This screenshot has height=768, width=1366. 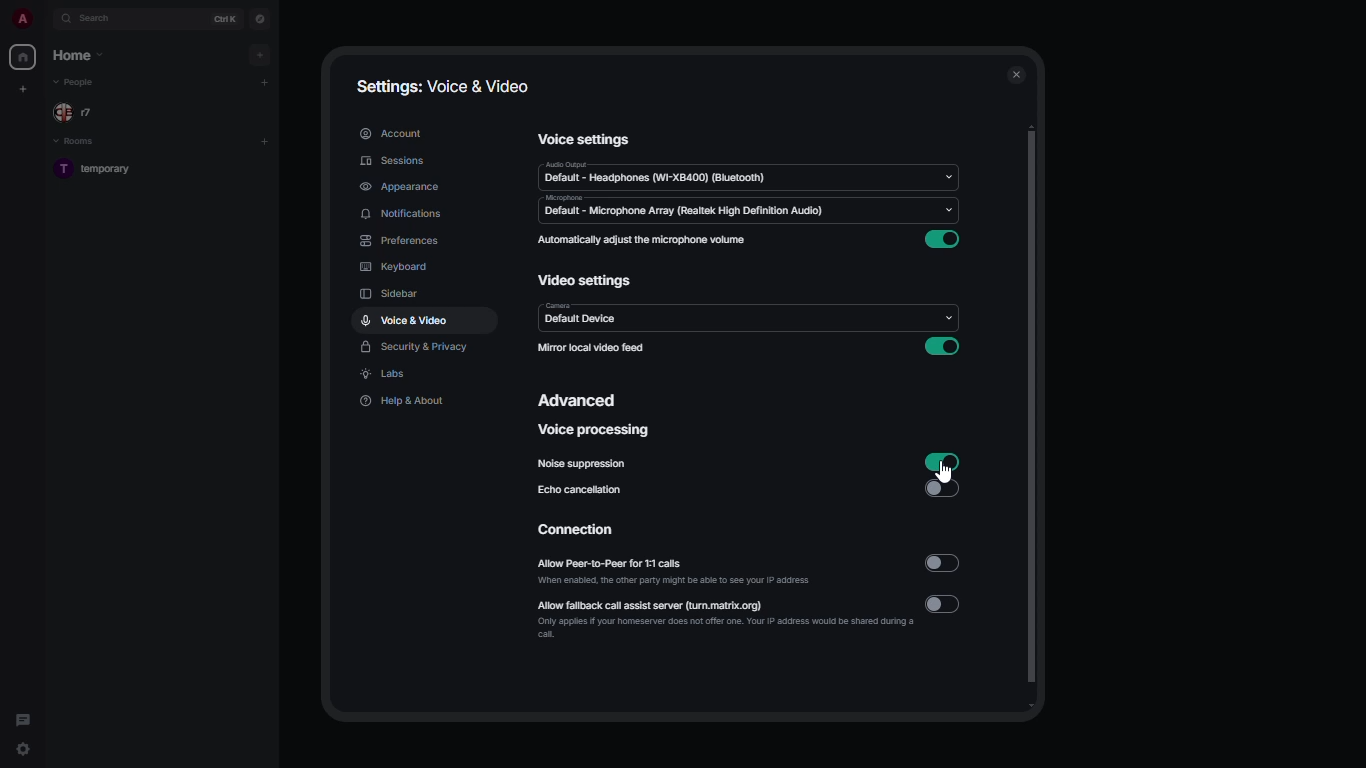 What do you see at coordinates (442, 87) in the screenshot?
I see `settings: voice & video` at bounding box center [442, 87].